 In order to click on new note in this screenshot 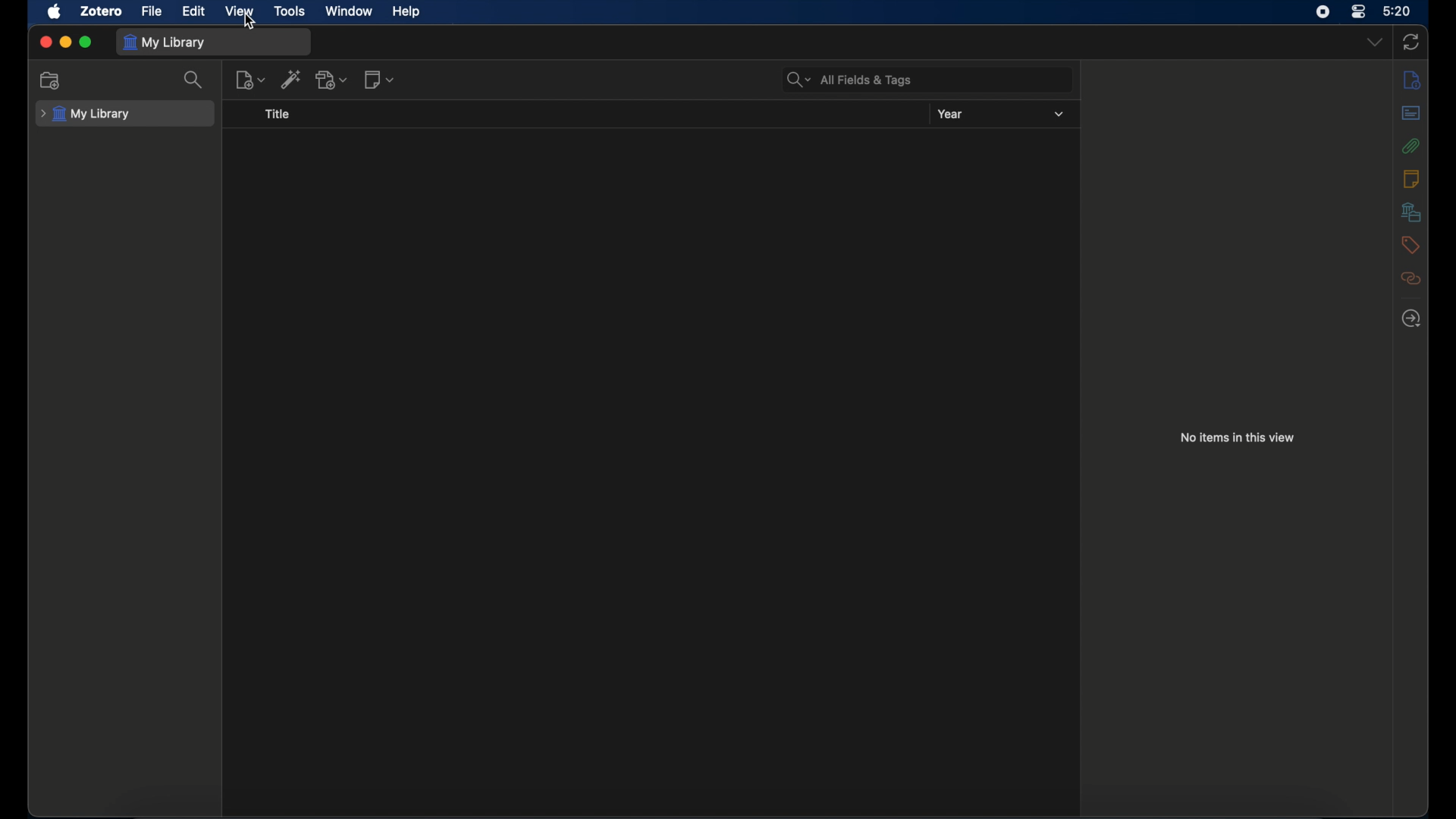, I will do `click(379, 80)`.